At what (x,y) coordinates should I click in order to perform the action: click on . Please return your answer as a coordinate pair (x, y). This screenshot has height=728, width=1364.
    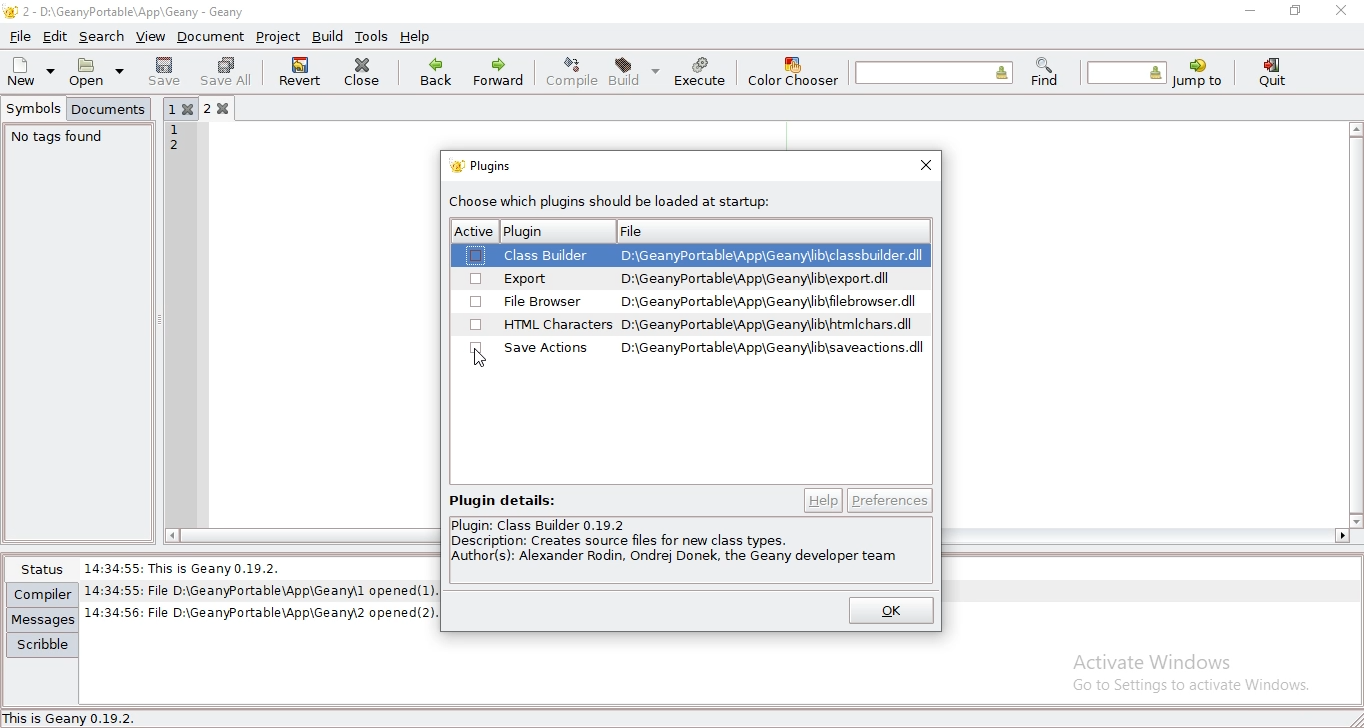
    Looking at the image, I should click on (177, 108).